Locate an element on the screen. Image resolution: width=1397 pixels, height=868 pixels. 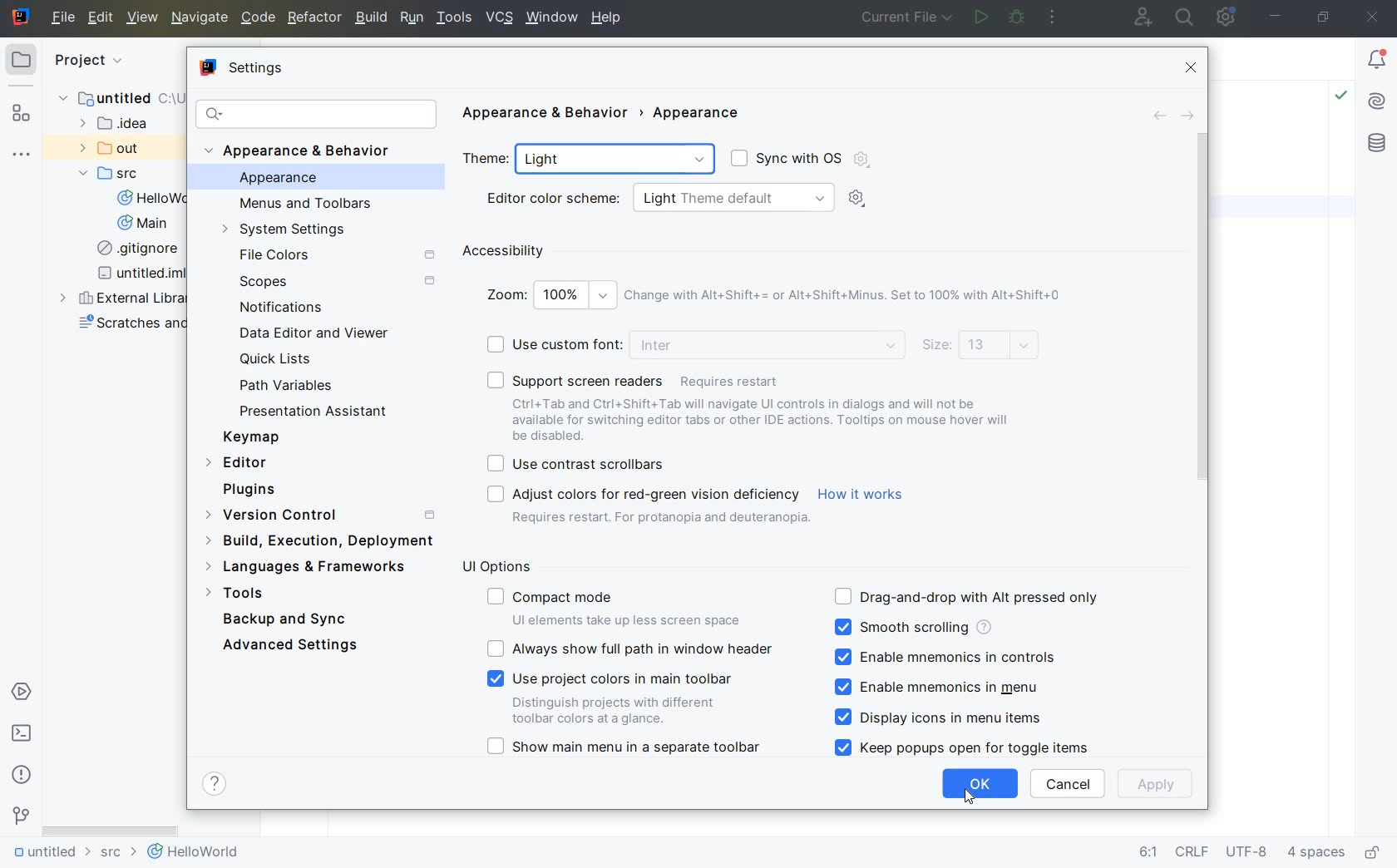
Application logo is located at coordinates (23, 18).